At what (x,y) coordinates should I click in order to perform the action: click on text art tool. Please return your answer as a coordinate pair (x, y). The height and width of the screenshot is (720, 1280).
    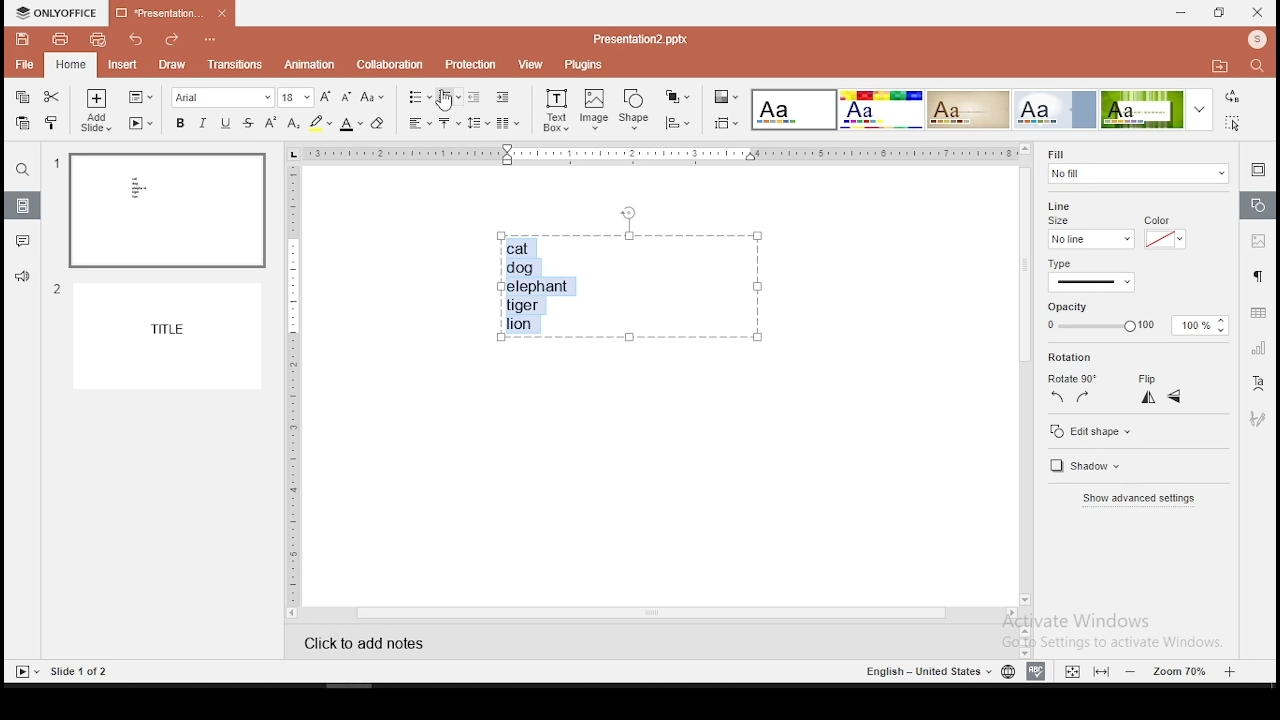
    Looking at the image, I should click on (1259, 384).